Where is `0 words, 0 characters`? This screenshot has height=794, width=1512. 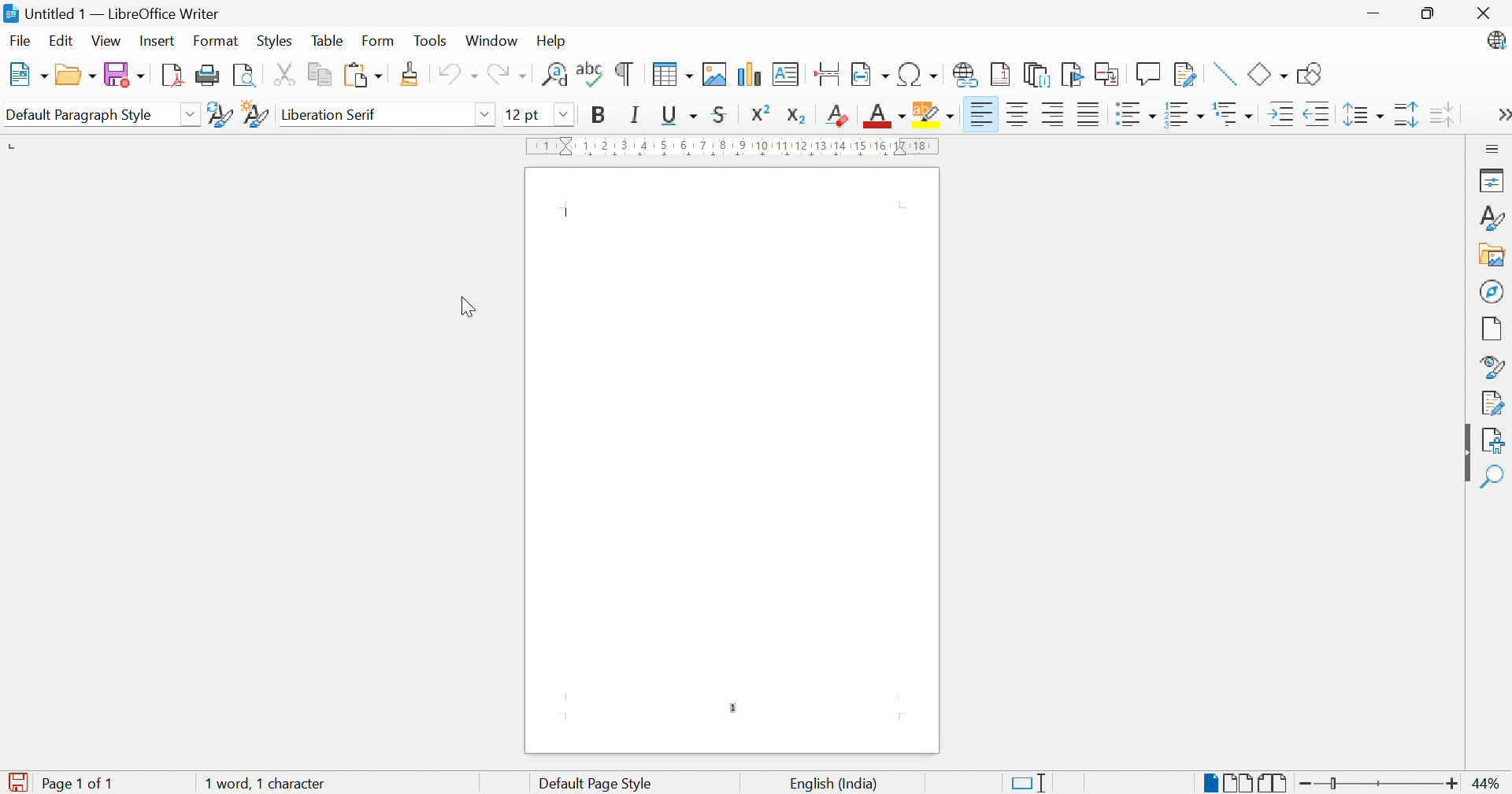 0 words, 0 characters is located at coordinates (269, 785).